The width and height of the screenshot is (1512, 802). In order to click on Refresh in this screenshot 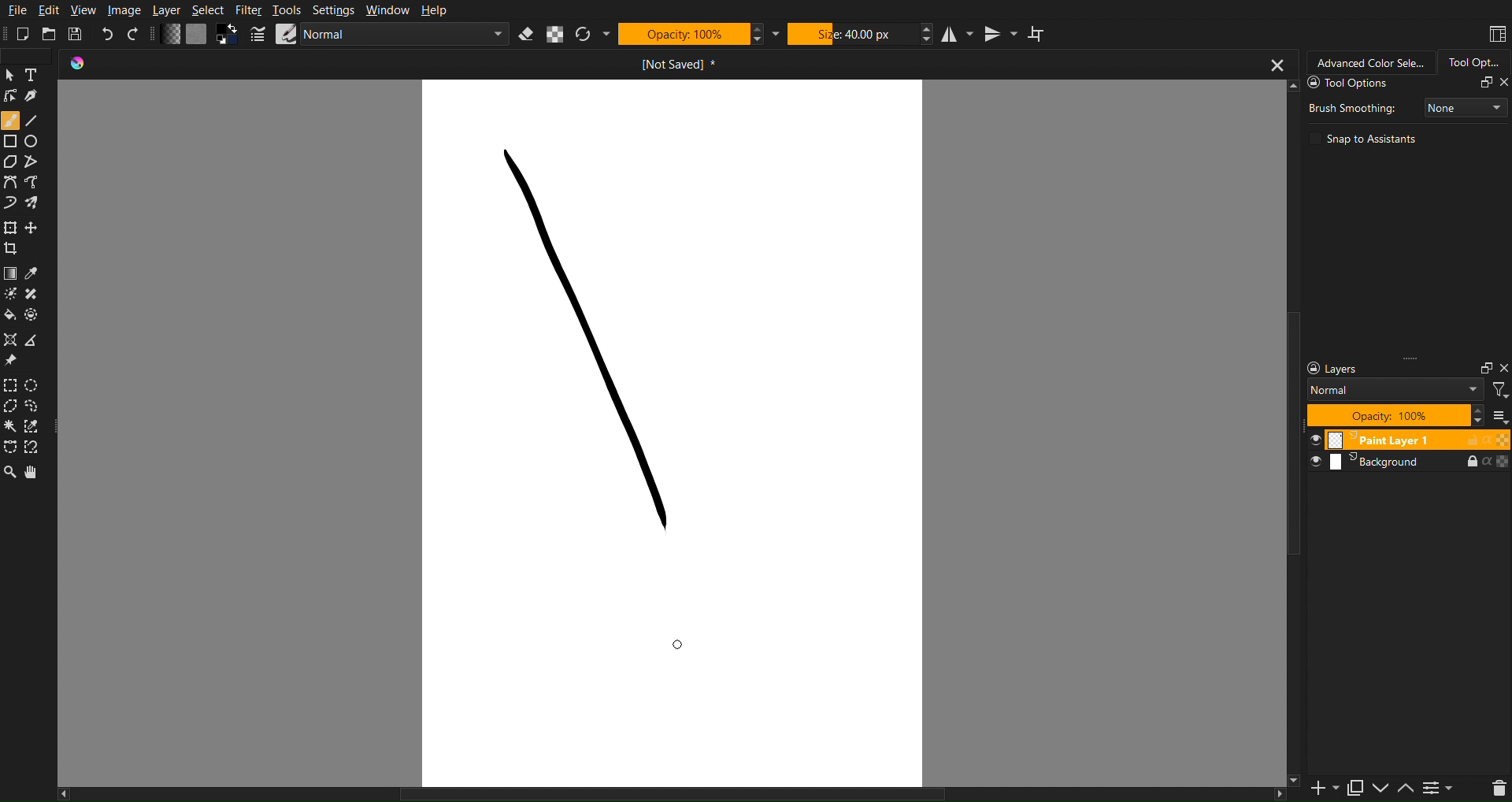, I will do `click(583, 34)`.